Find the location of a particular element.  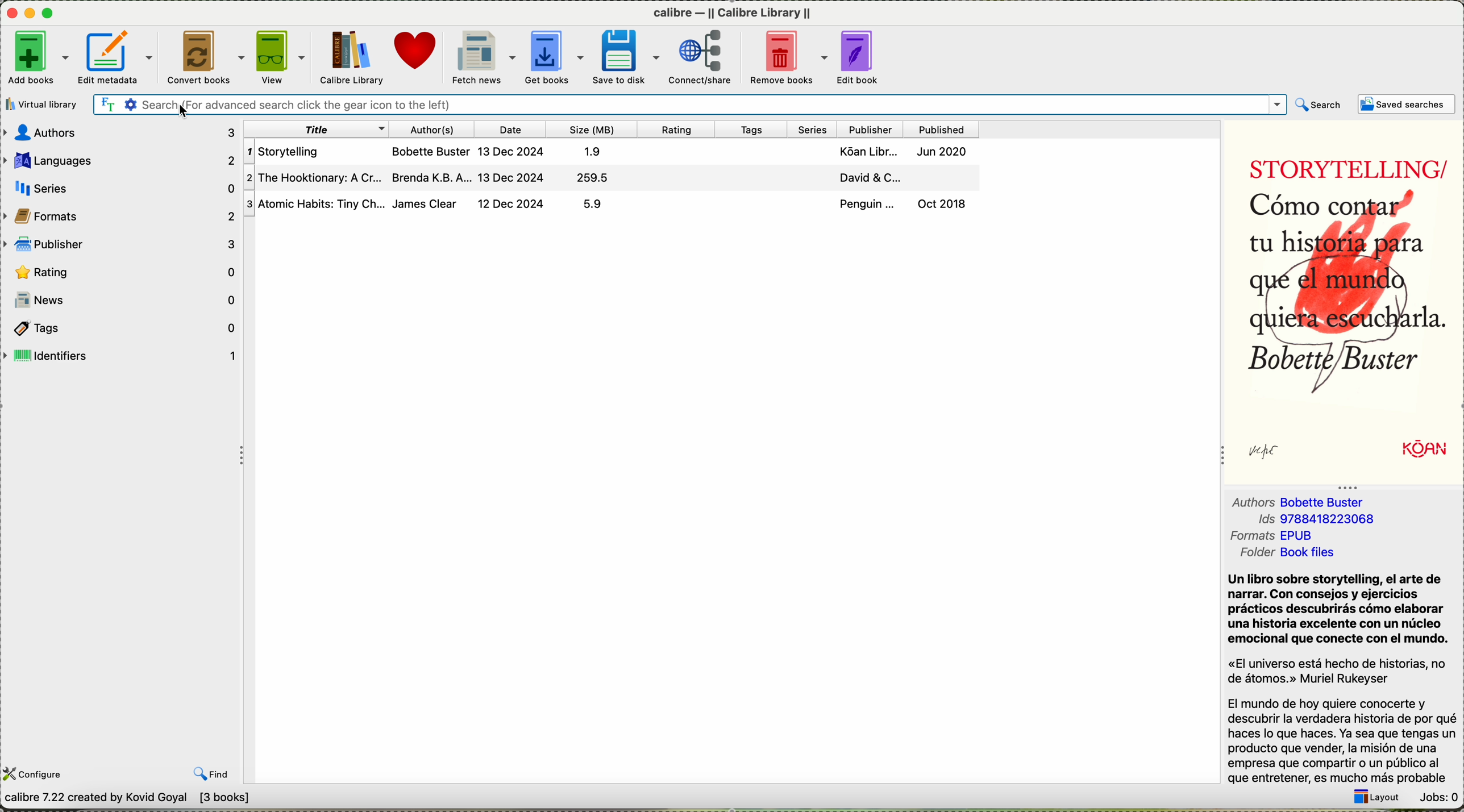

configure is located at coordinates (36, 773).